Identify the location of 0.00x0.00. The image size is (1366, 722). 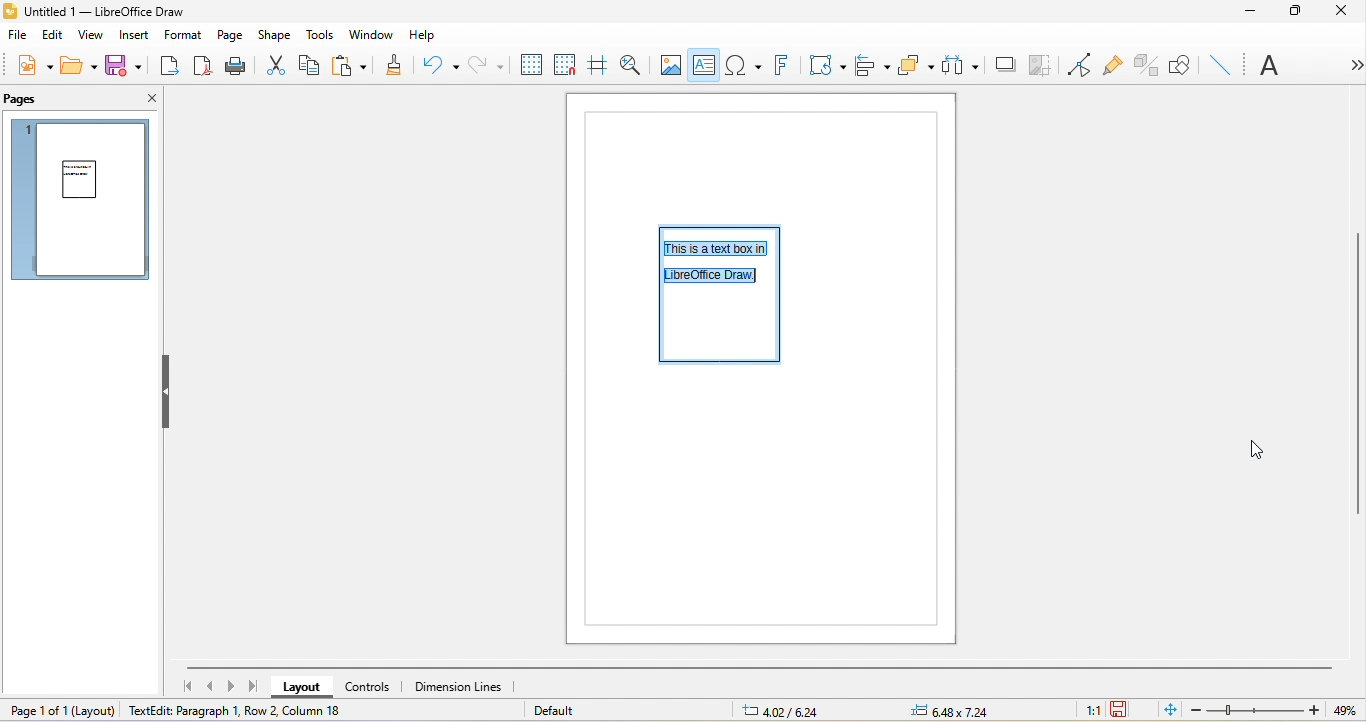
(961, 711).